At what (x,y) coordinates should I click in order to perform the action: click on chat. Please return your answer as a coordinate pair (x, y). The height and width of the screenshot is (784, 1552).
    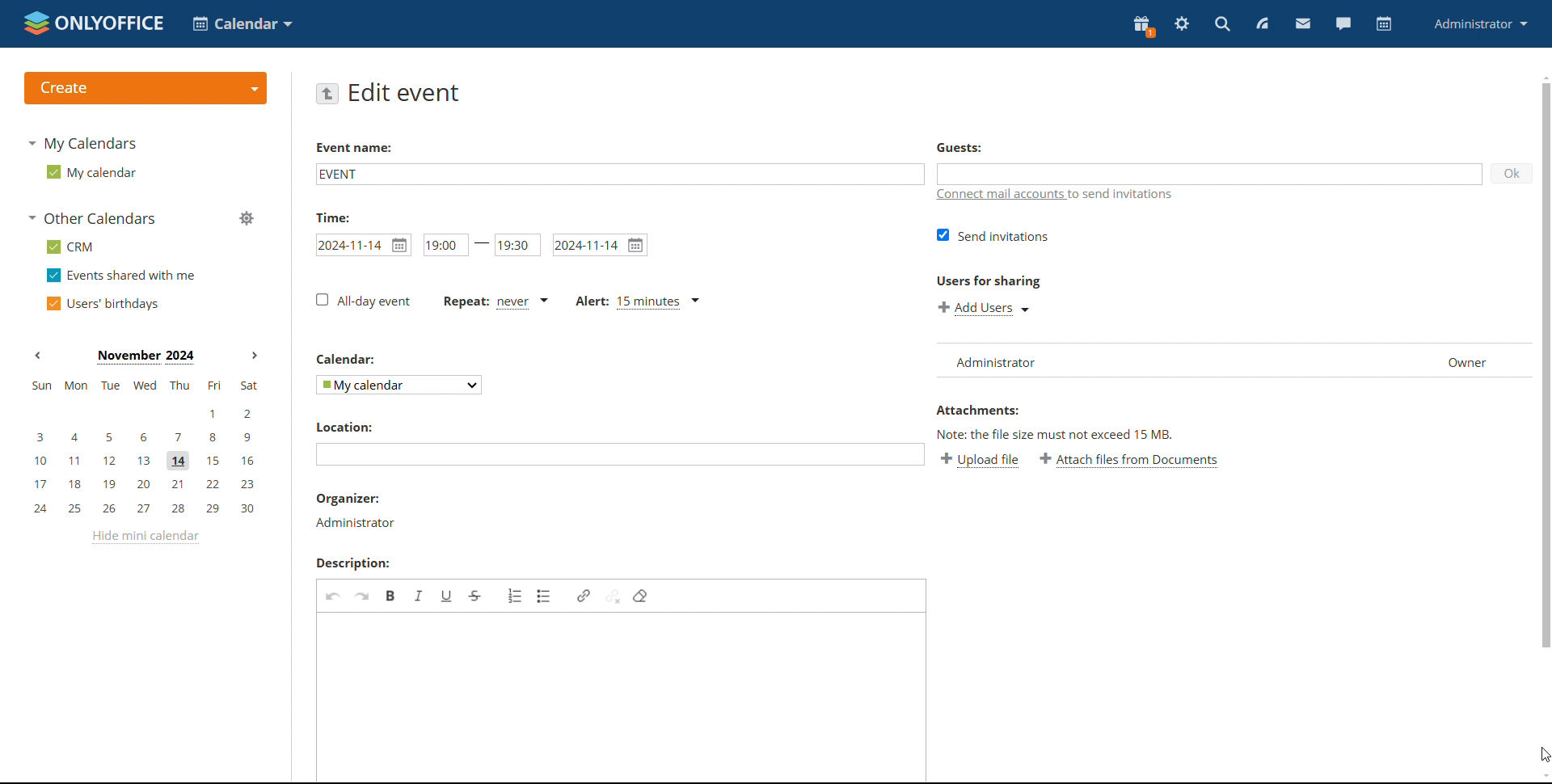
    Looking at the image, I should click on (1341, 23).